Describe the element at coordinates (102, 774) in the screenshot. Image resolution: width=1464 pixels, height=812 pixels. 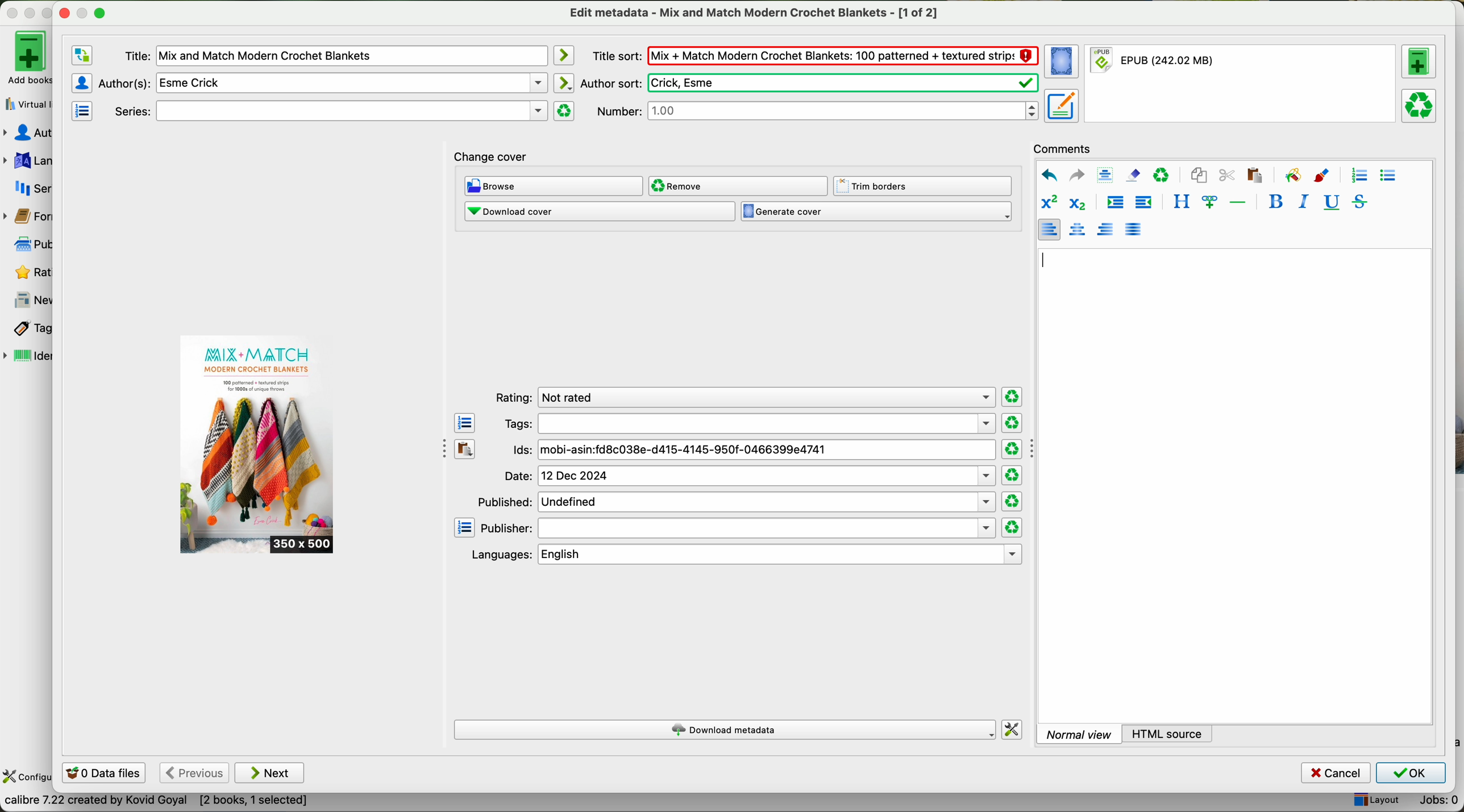
I see `data files` at that location.